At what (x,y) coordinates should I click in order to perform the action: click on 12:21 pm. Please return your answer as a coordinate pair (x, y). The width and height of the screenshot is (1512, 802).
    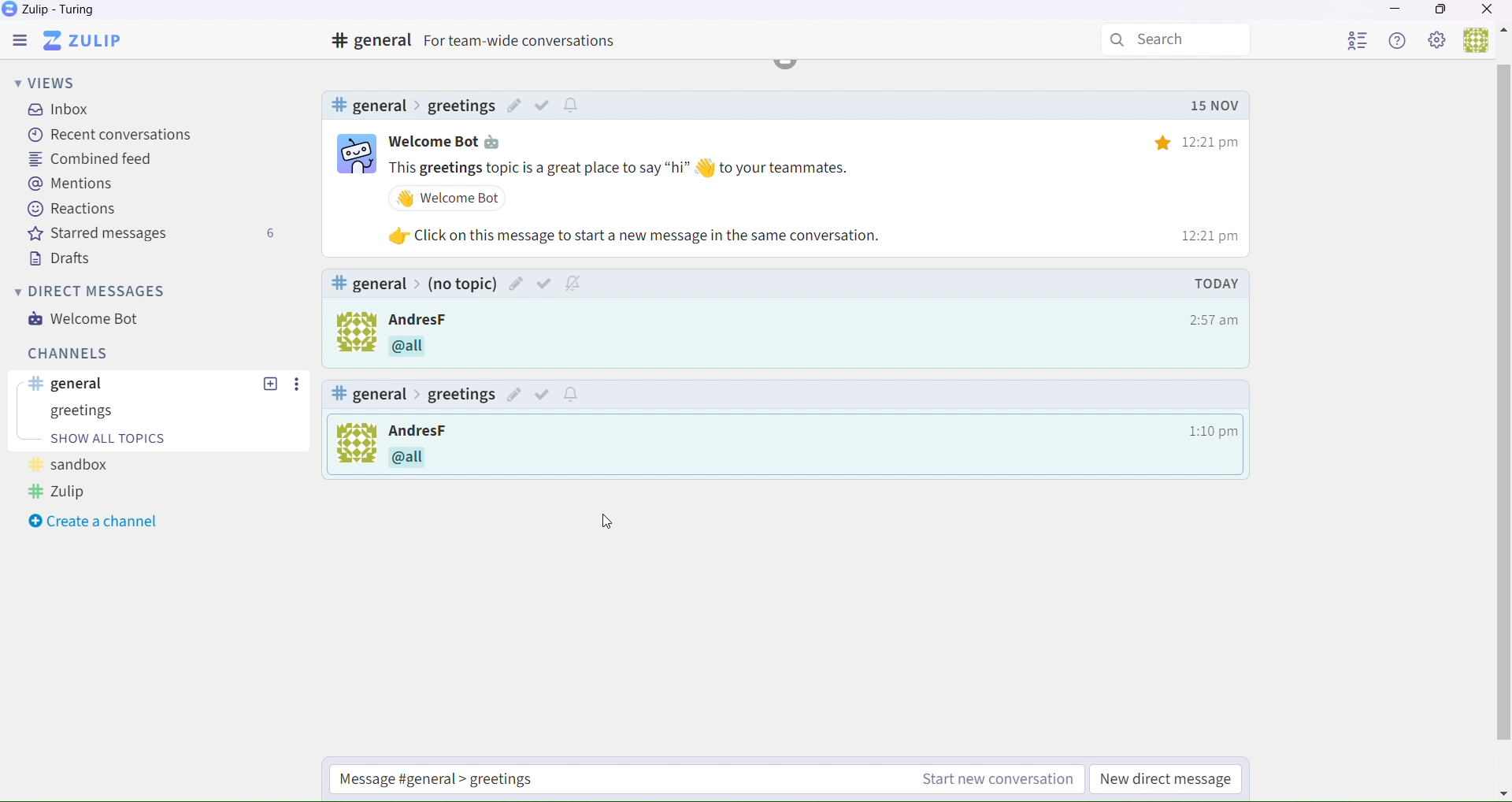
    Looking at the image, I should click on (1191, 317).